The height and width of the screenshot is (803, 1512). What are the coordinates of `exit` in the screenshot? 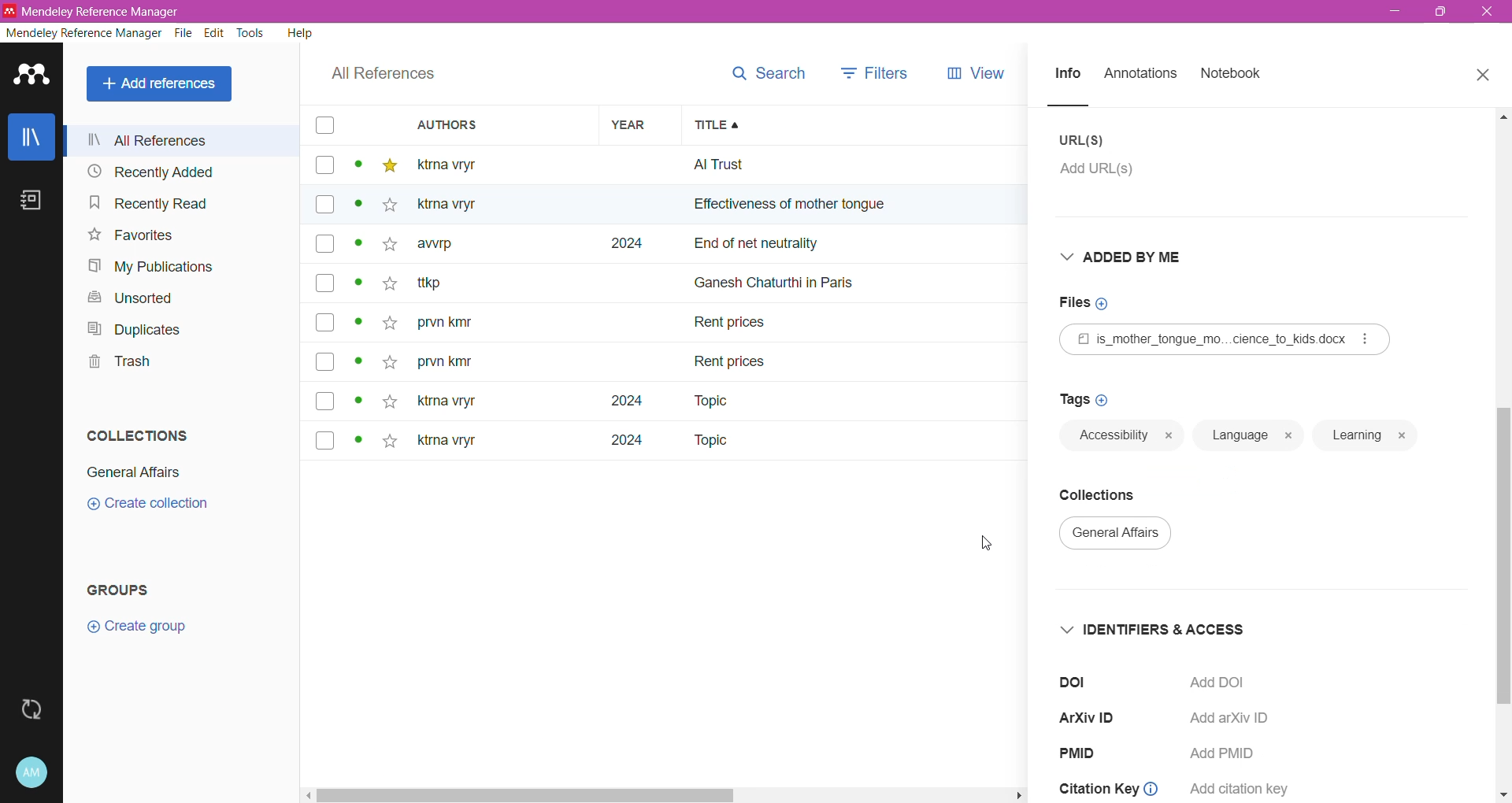 It's located at (1490, 16).